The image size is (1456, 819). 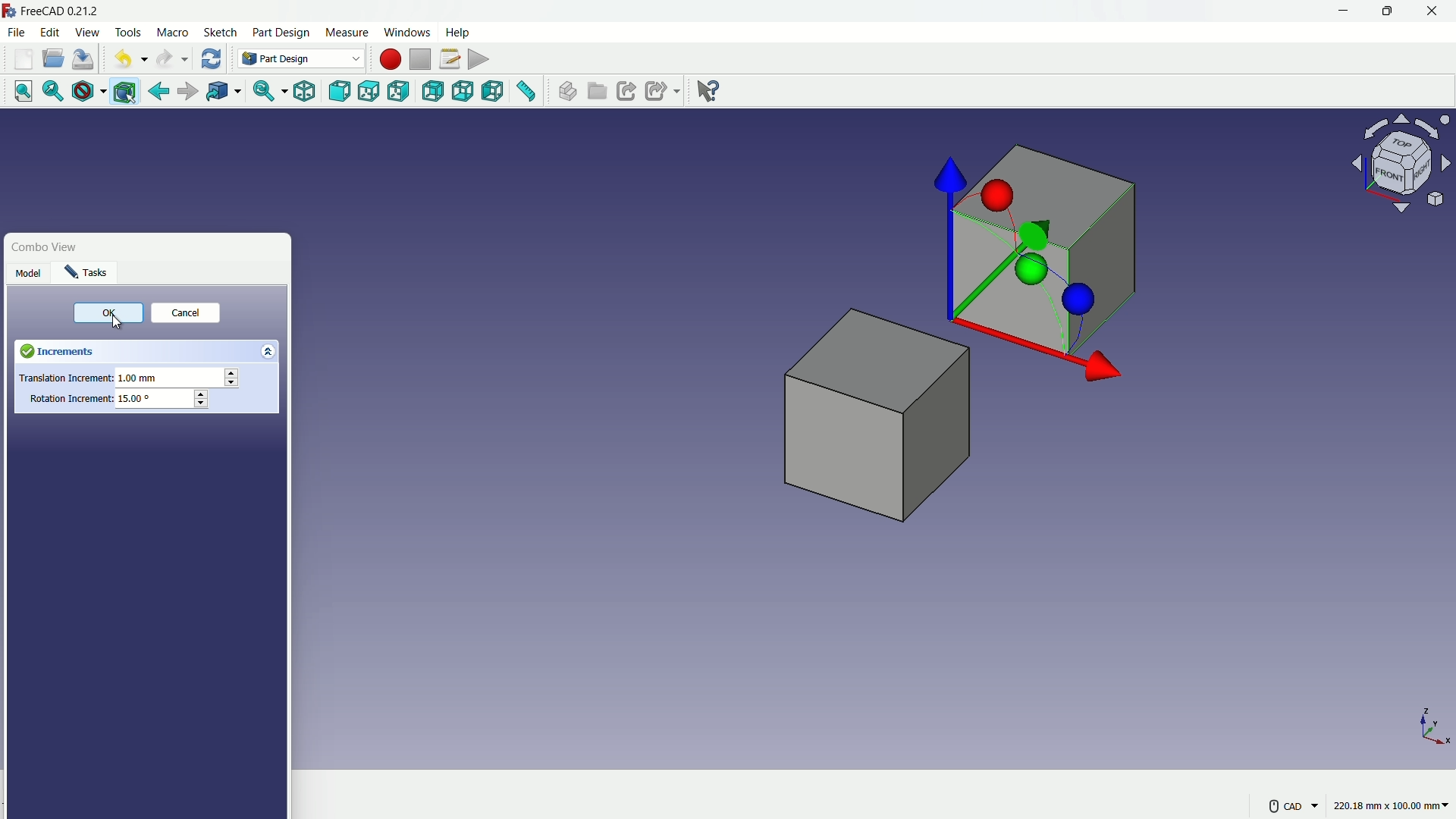 I want to click on Rotation Increment:, so click(x=70, y=399).